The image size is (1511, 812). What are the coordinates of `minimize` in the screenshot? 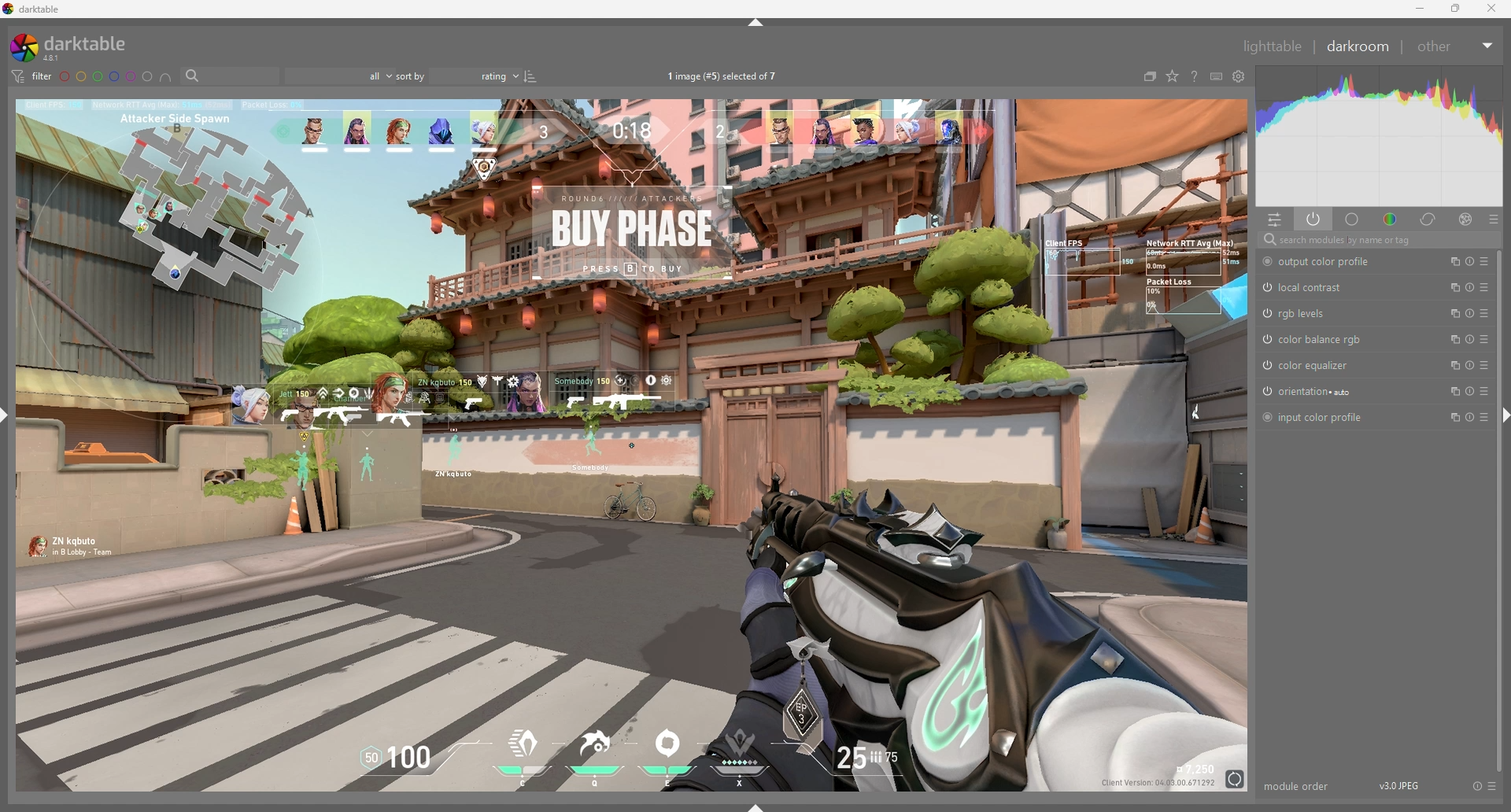 It's located at (1422, 9).